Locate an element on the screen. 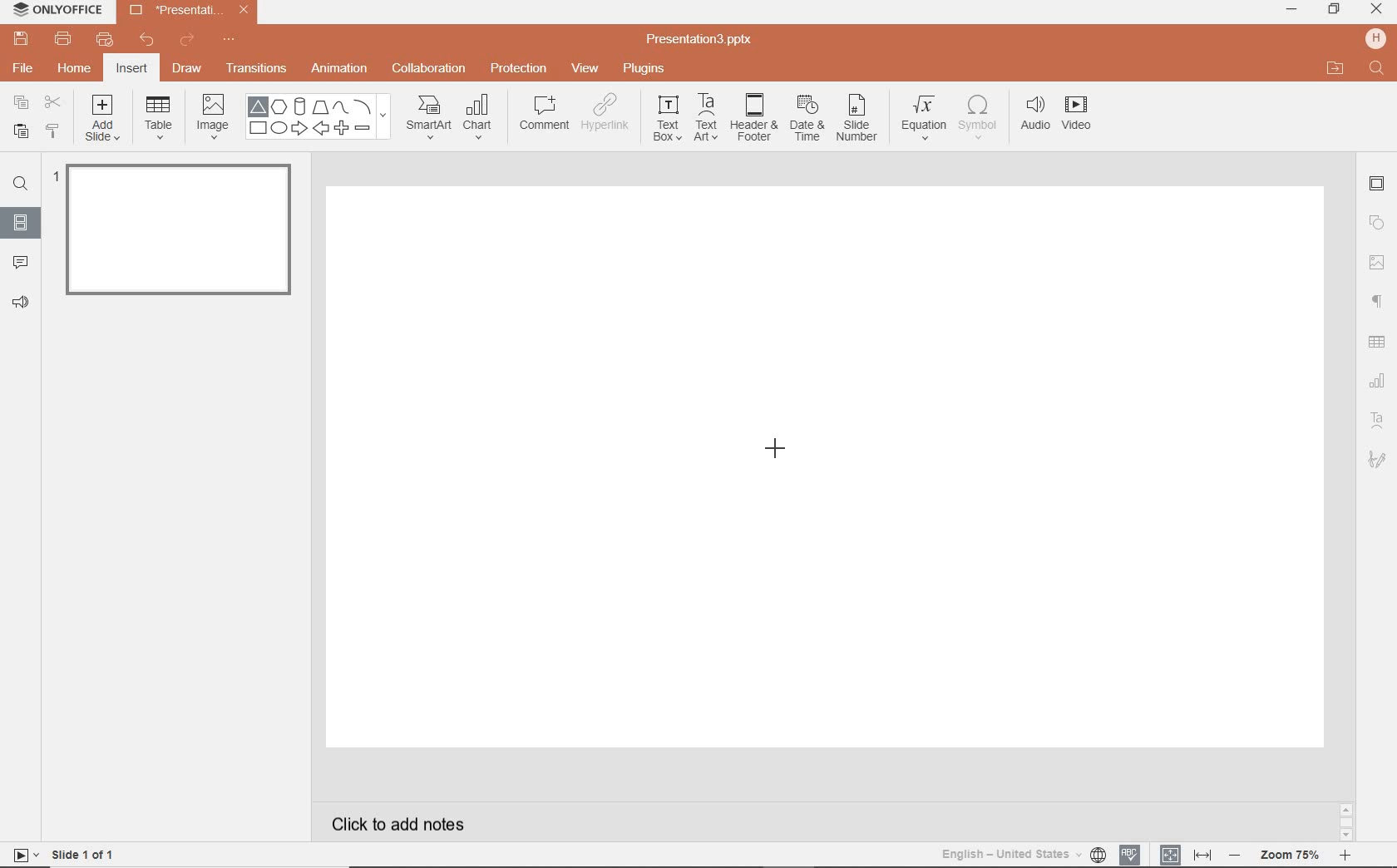 The height and width of the screenshot is (868, 1397). DATE & TIME is located at coordinates (807, 119).